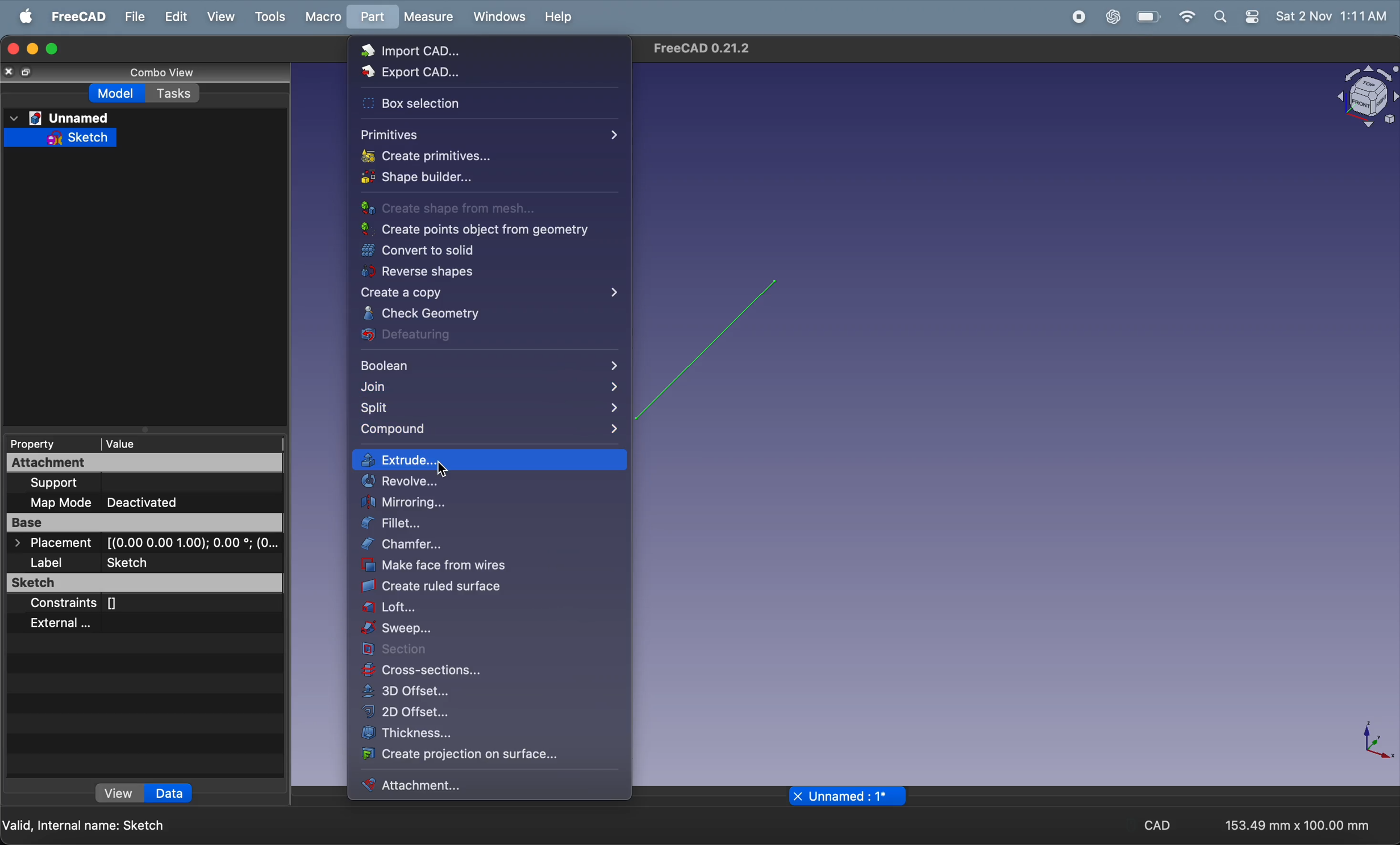 Image resolution: width=1400 pixels, height=845 pixels. I want to click on view, so click(218, 18).